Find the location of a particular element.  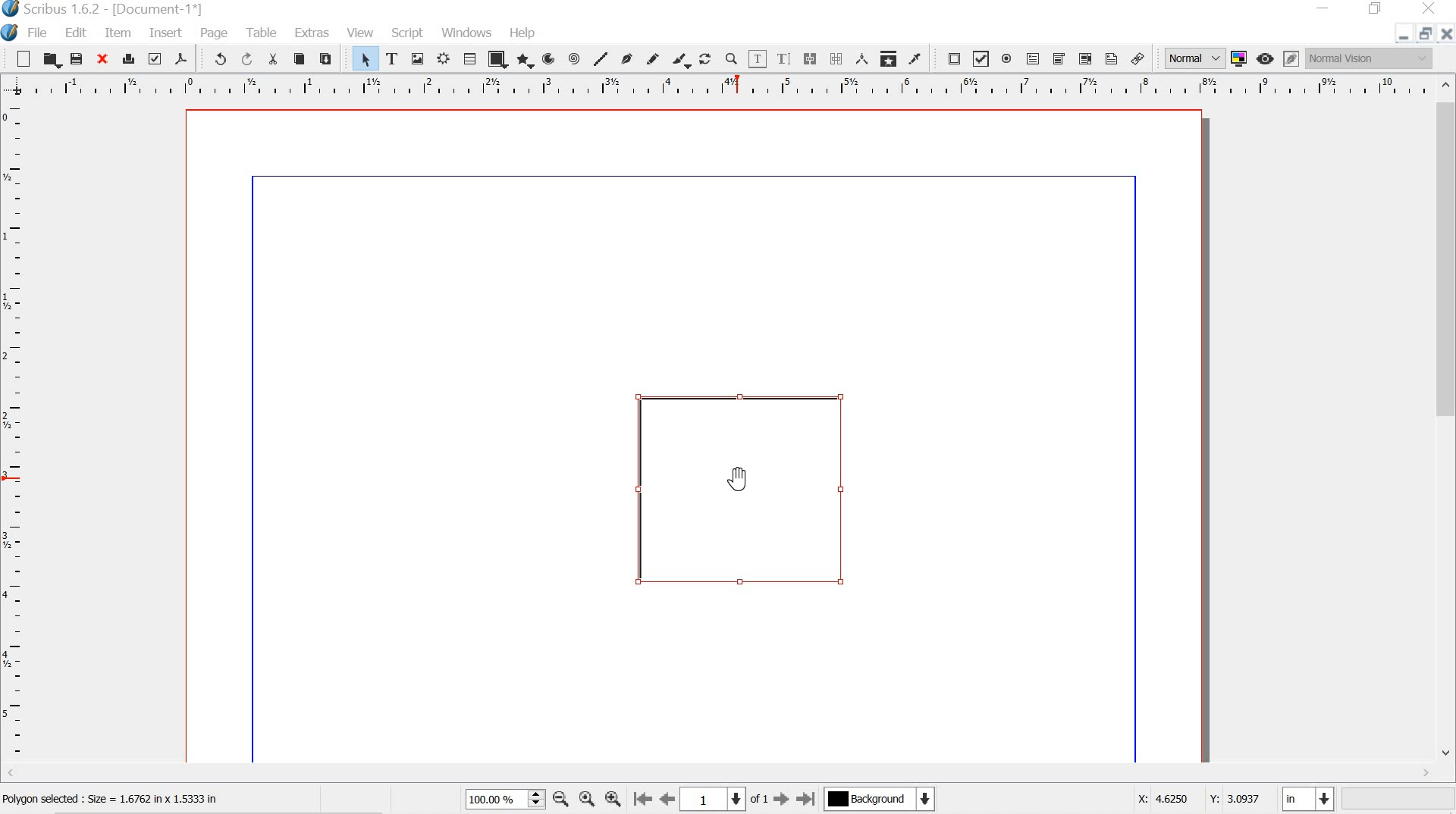

toggle color management system is located at coordinates (1238, 58).